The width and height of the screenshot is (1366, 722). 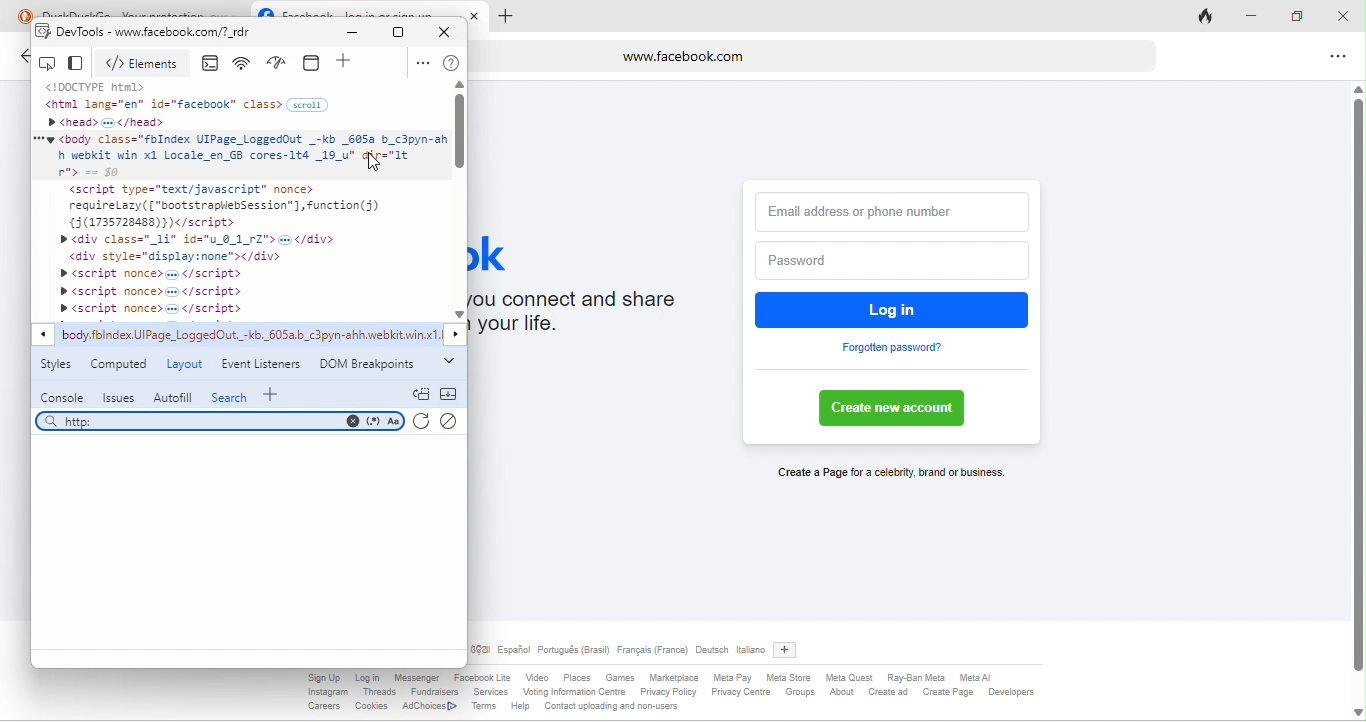 I want to click on options, so click(x=1334, y=58).